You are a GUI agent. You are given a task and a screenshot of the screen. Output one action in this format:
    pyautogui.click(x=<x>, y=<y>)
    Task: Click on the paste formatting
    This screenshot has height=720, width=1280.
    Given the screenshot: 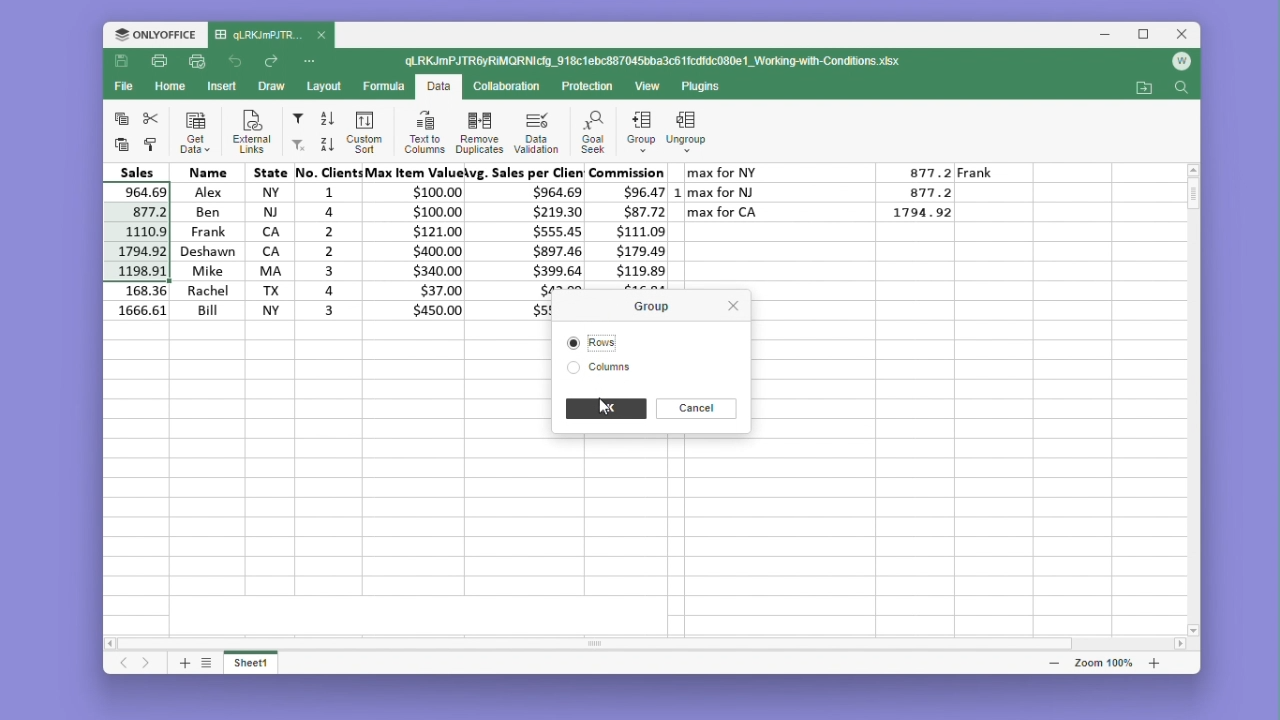 What is the action you would take?
    pyautogui.click(x=151, y=145)
    